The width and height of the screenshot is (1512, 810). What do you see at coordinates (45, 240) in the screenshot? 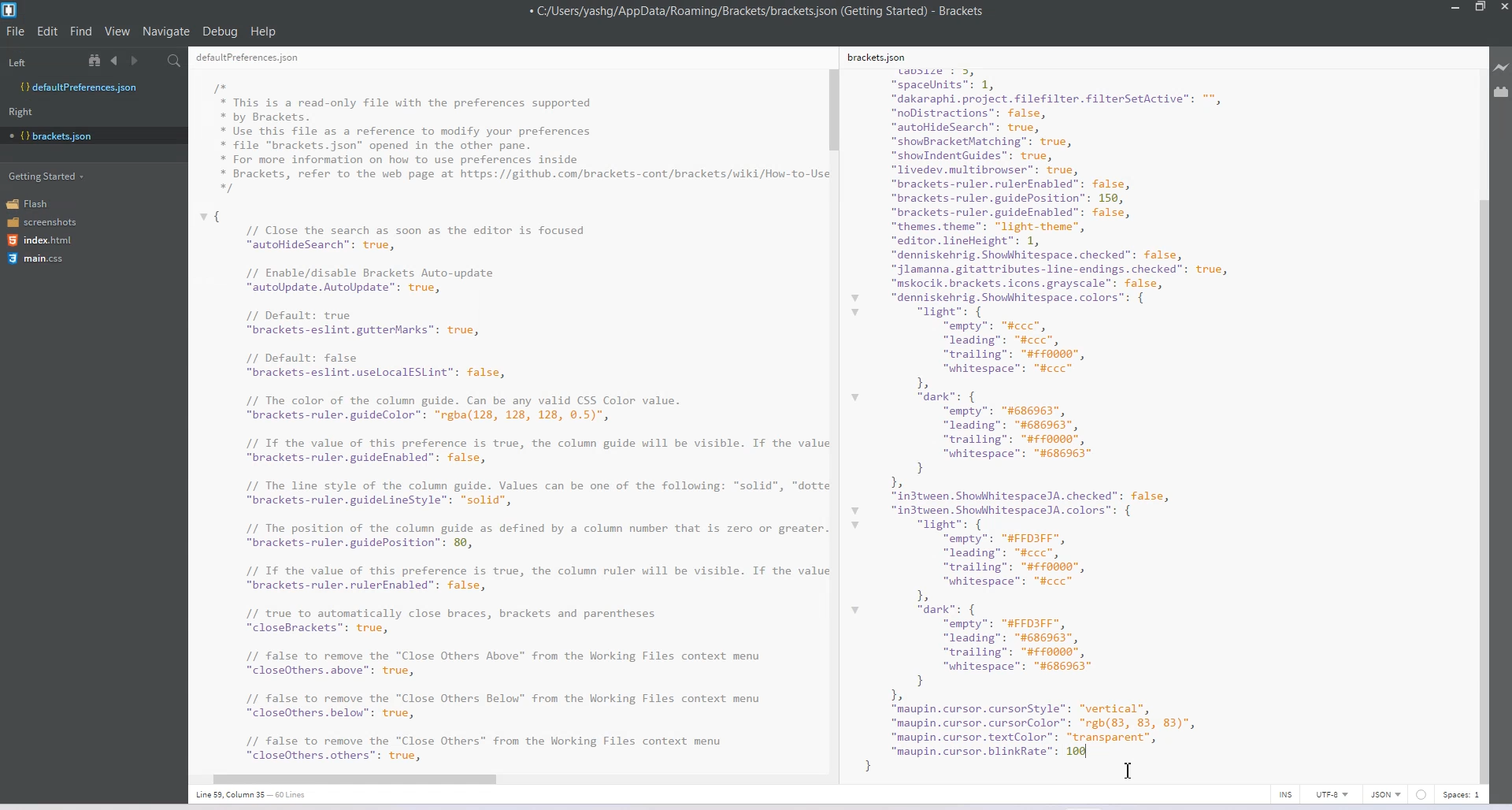
I see `index.html` at bounding box center [45, 240].